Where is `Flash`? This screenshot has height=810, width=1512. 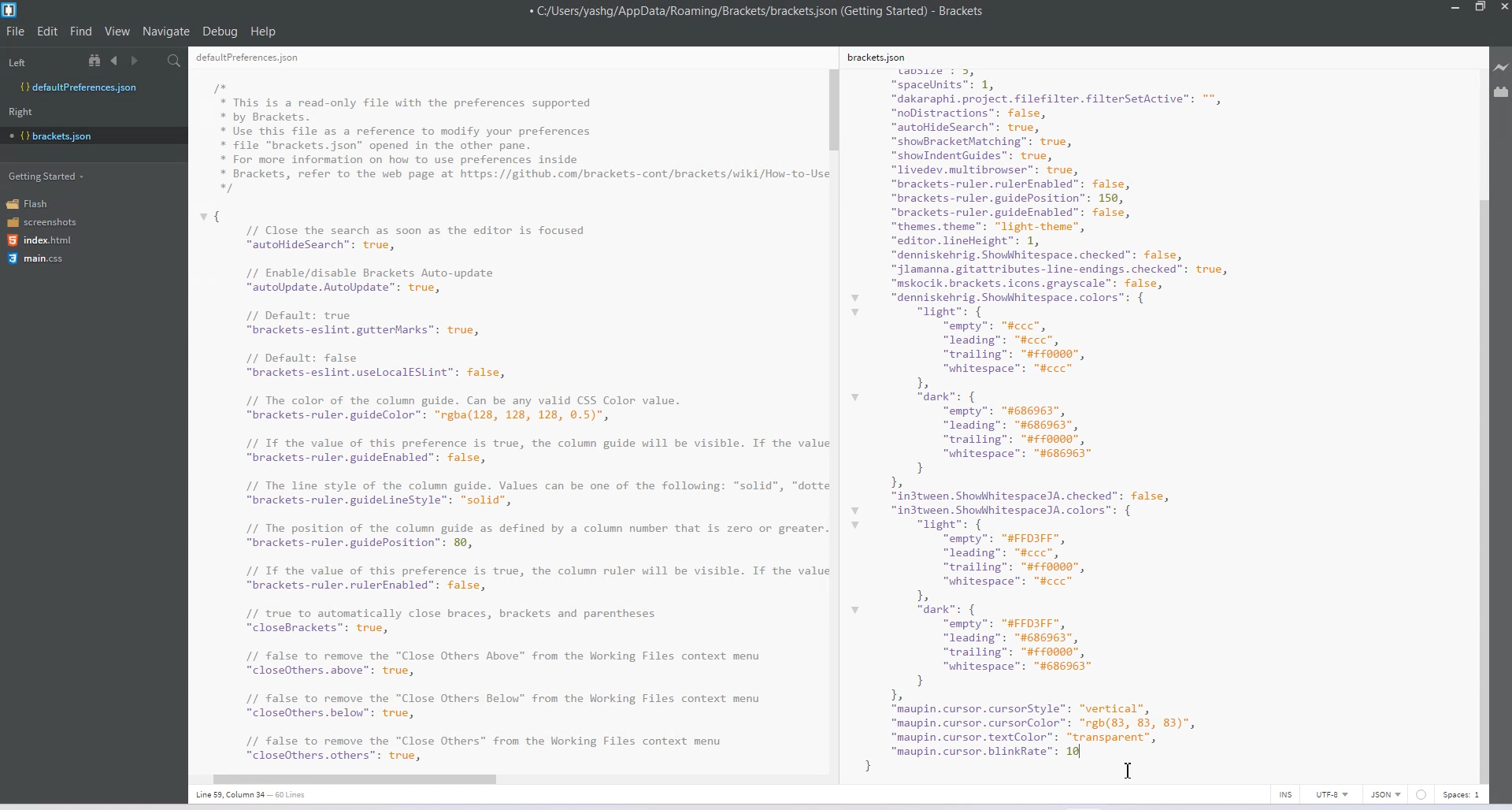 Flash is located at coordinates (33, 203).